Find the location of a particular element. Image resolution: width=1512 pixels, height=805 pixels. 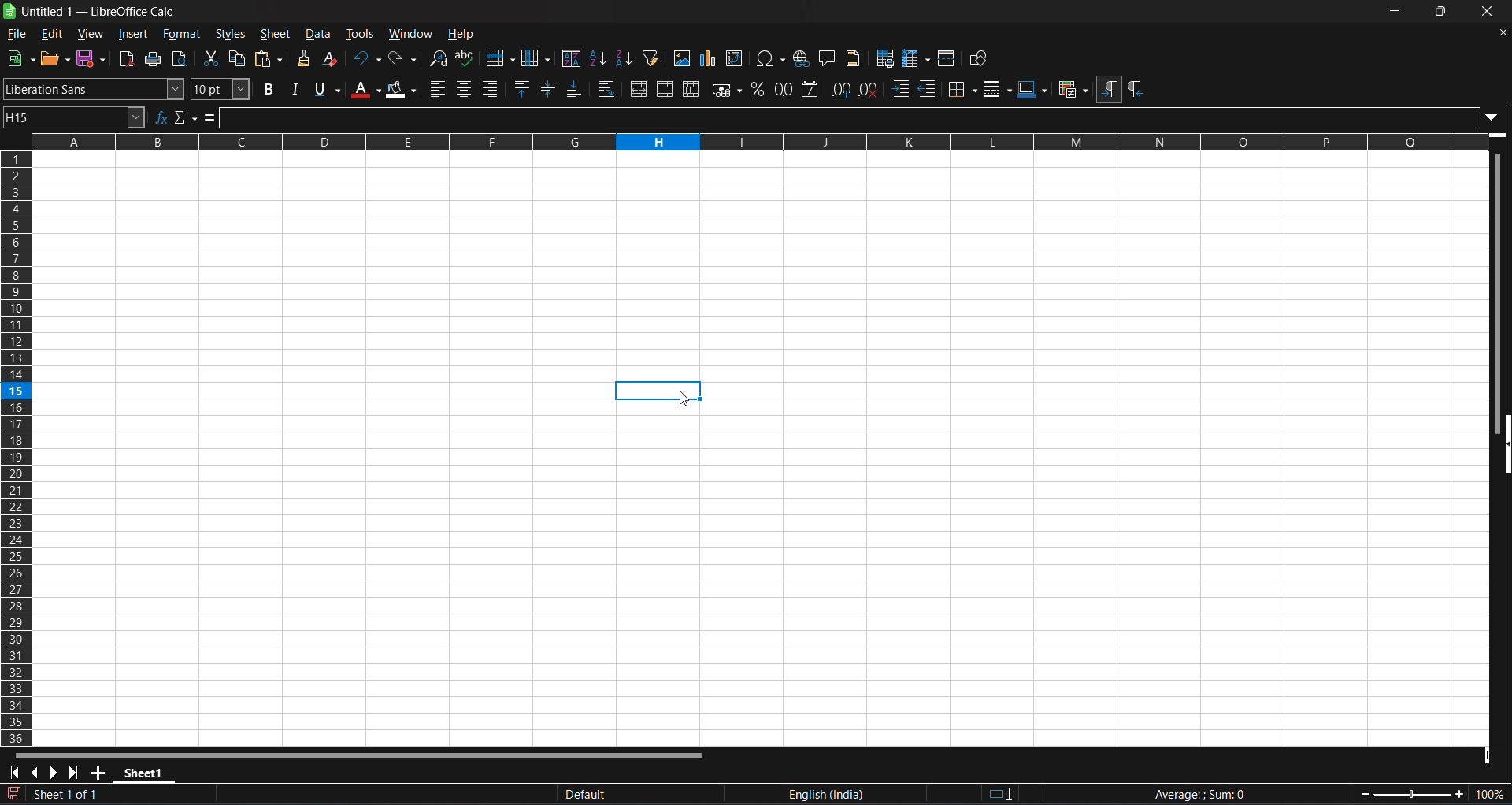

insert is located at coordinates (132, 35).